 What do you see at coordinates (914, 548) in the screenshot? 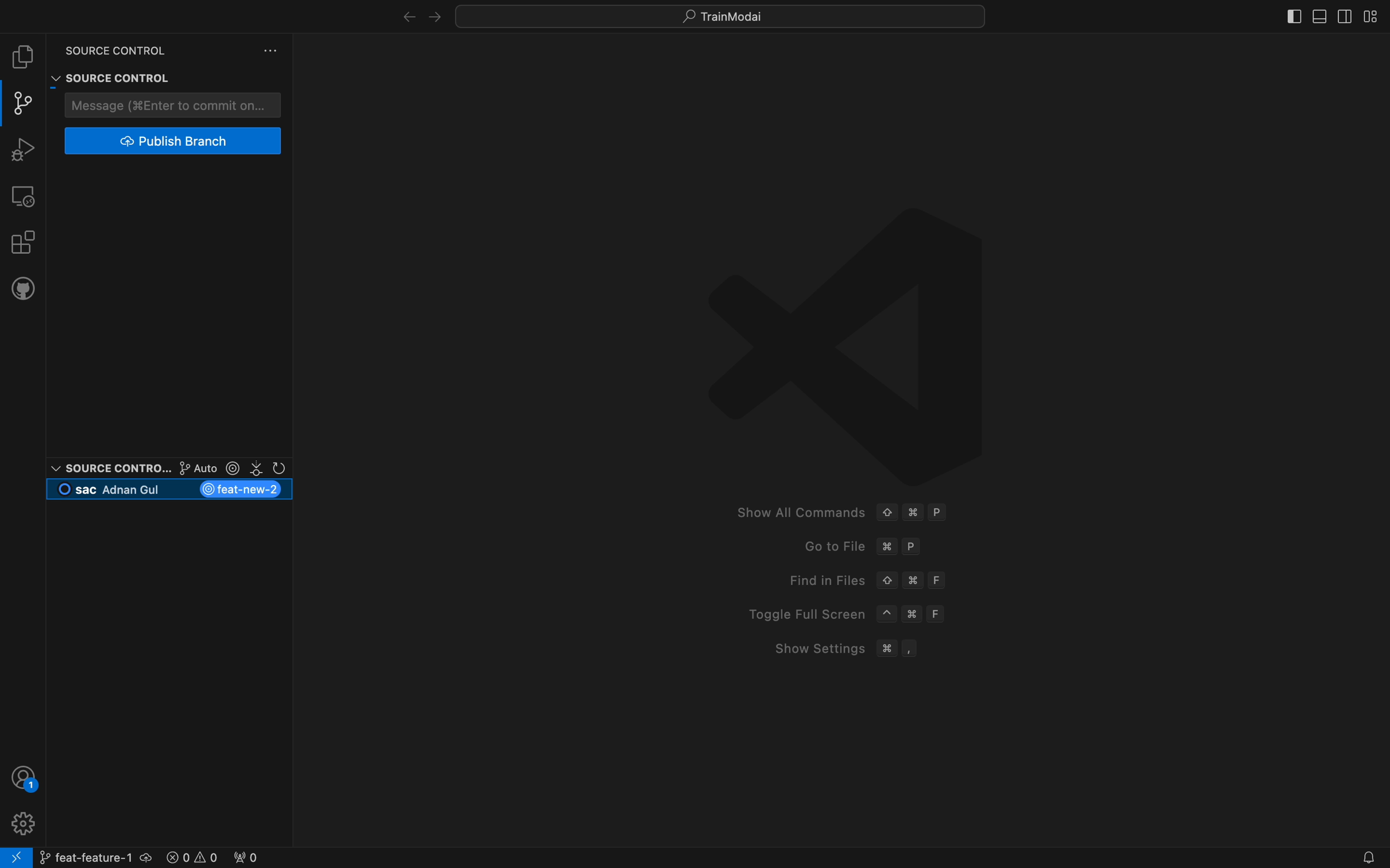
I see `P` at bounding box center [914, 548].